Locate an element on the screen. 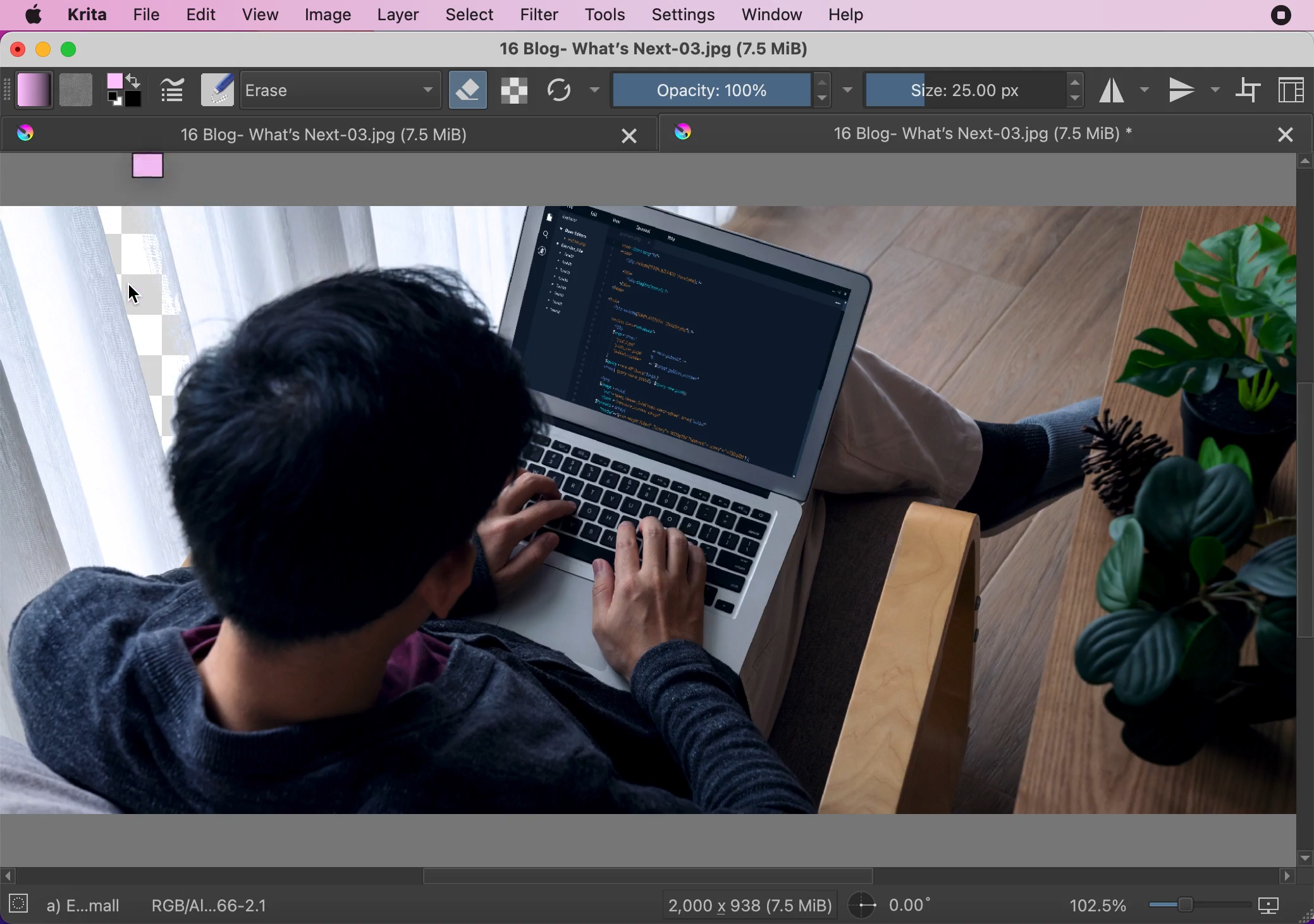  fill patterns is located at coordinates (75, 89).